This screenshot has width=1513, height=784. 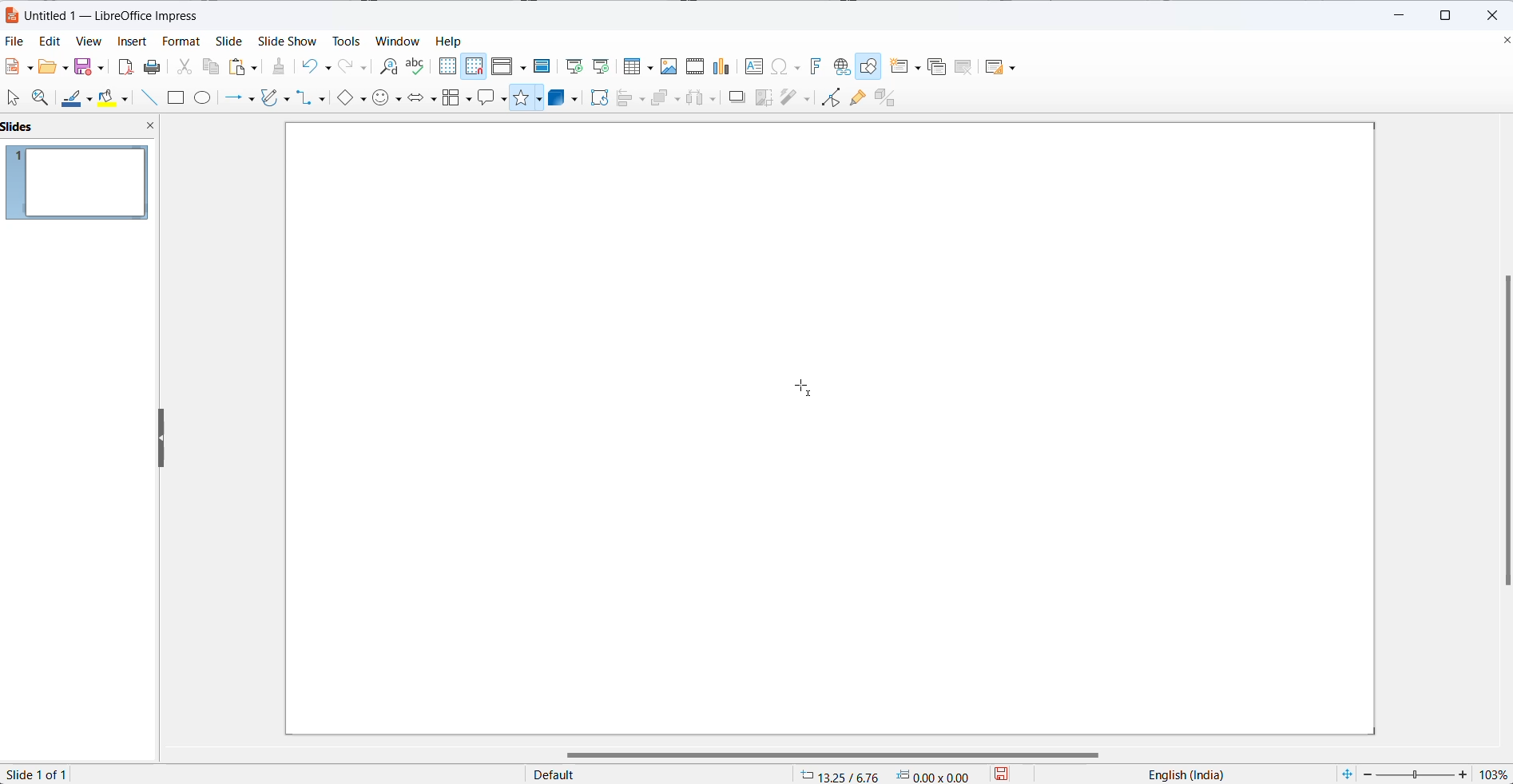 What do you see at coordinates (760, 98) in the screenshot?
I see `crop image` at bounding box center [760, 98].